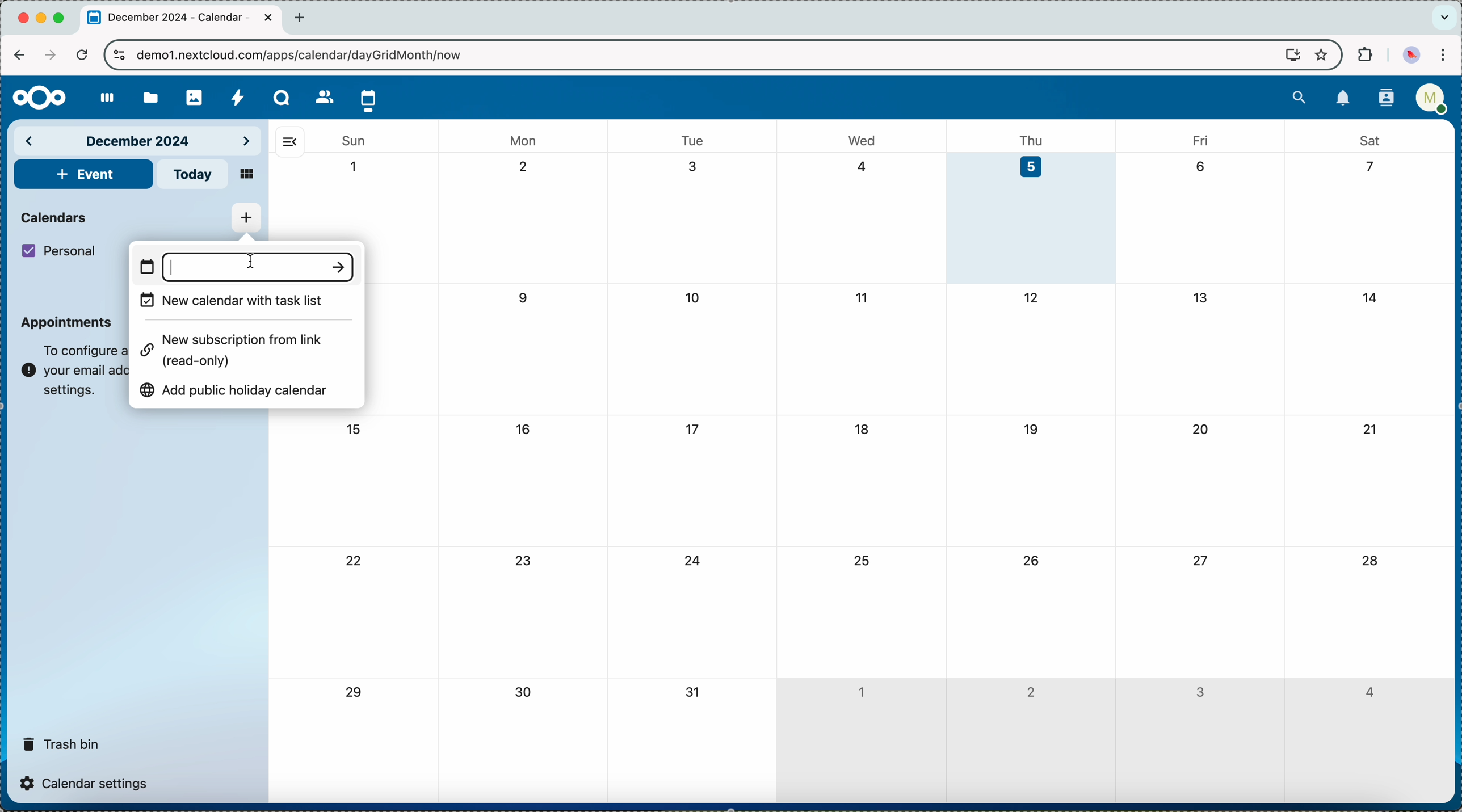 This screenshot has height=812, width=1462. I want to click on 9, so click(526, 297).